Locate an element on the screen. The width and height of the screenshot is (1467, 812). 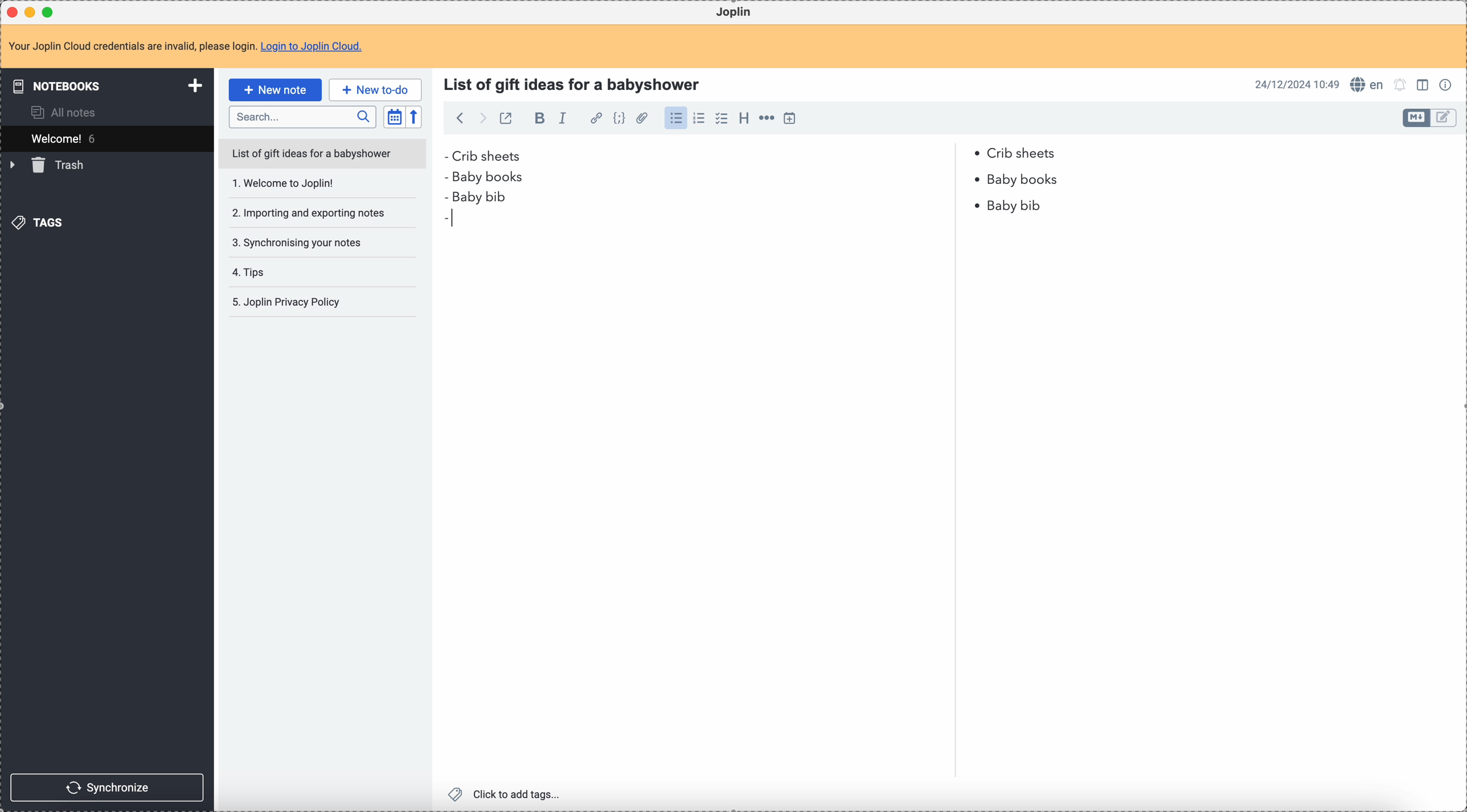
importing and exporting notes is located at coordinates (308, 212).